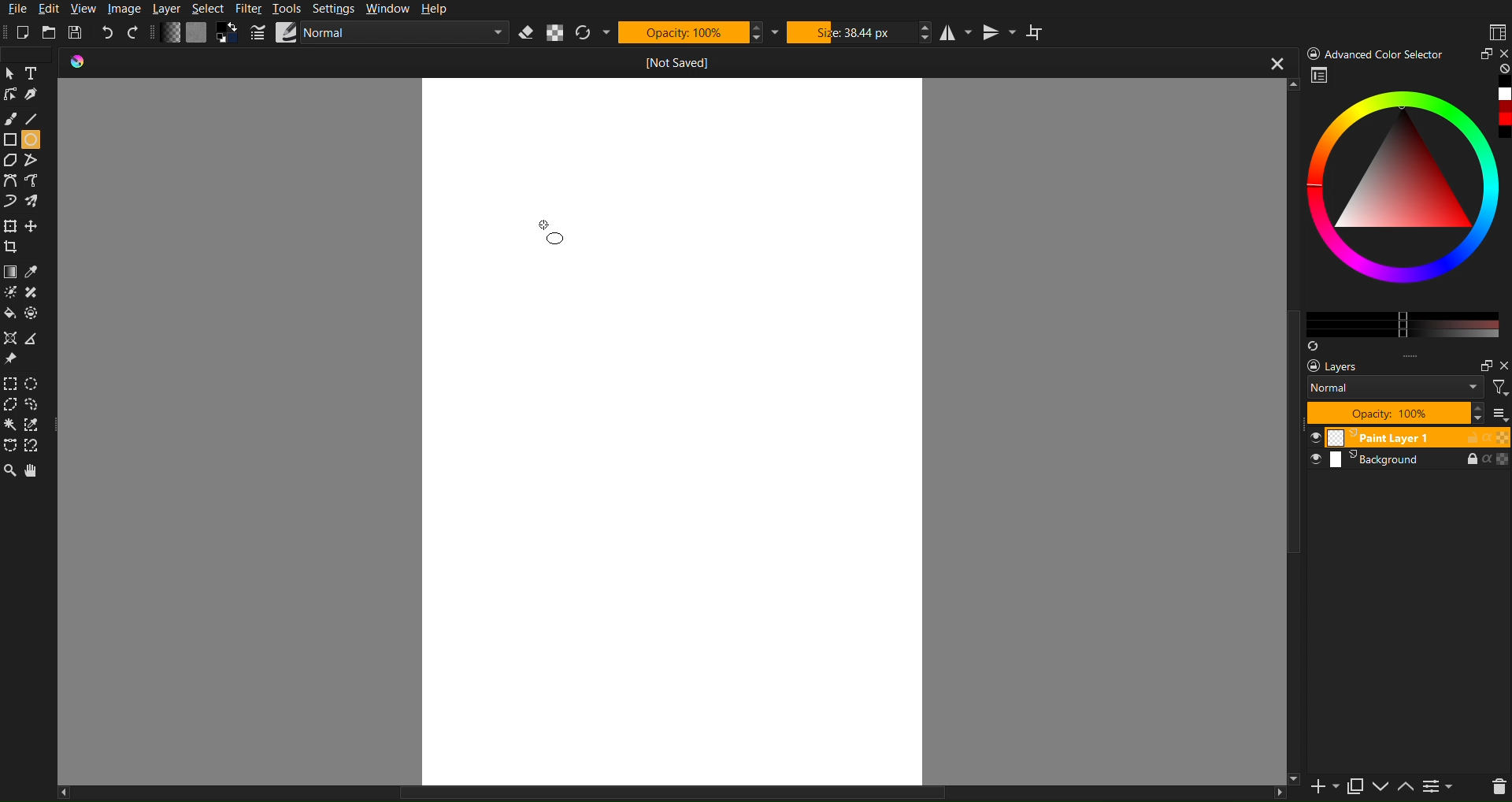 This screenshot has width=1512, height=802. I want to click on , so click(1503, 365).